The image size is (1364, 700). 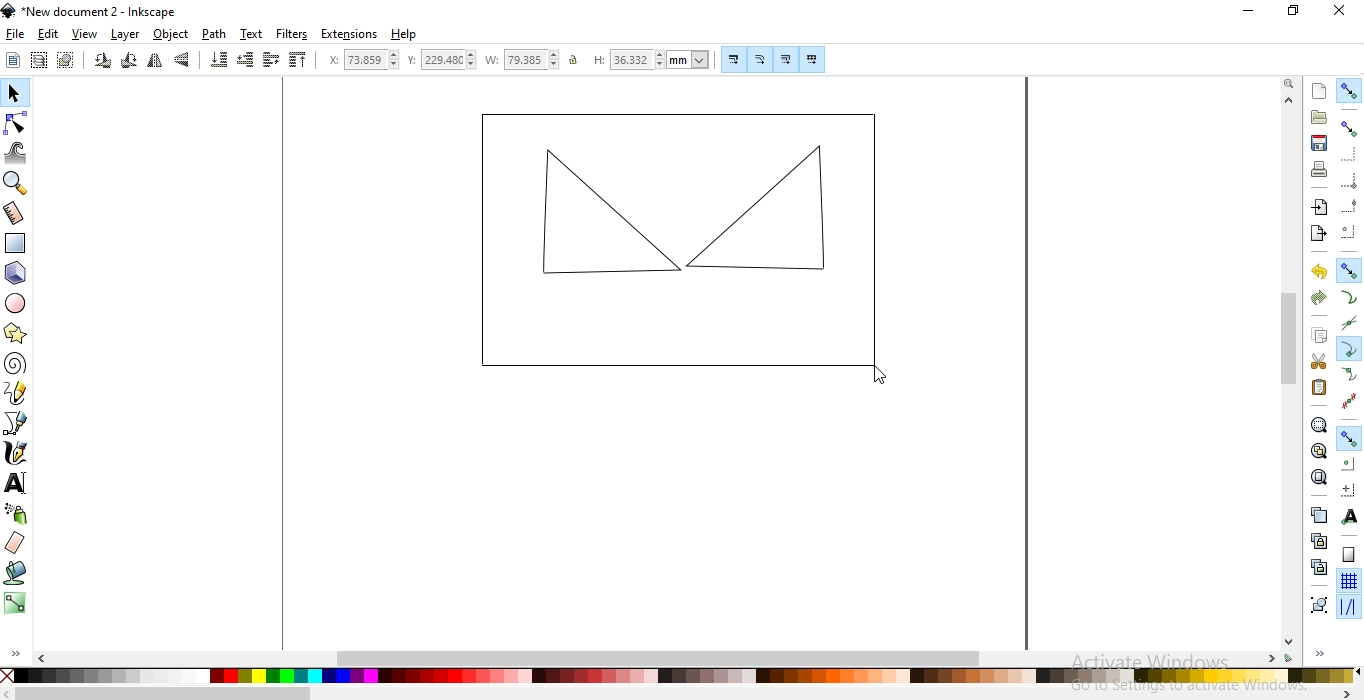 What do you see at coordinates (15, 604) in the screenshot?
I see `create and edit gradients` at bounding box center [15, 604].